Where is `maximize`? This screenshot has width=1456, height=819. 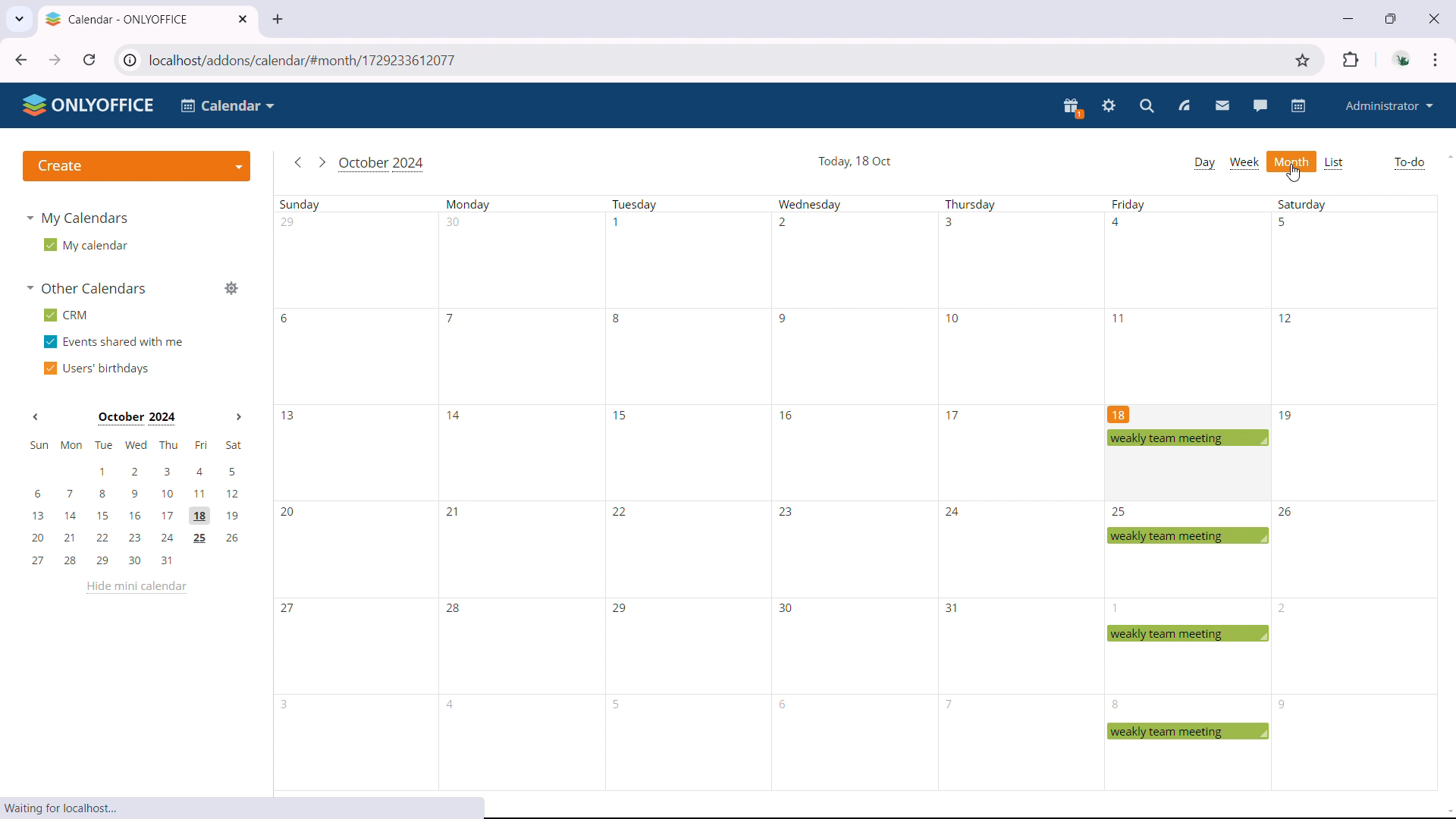
maximize is located at coordinates (1392, 19).